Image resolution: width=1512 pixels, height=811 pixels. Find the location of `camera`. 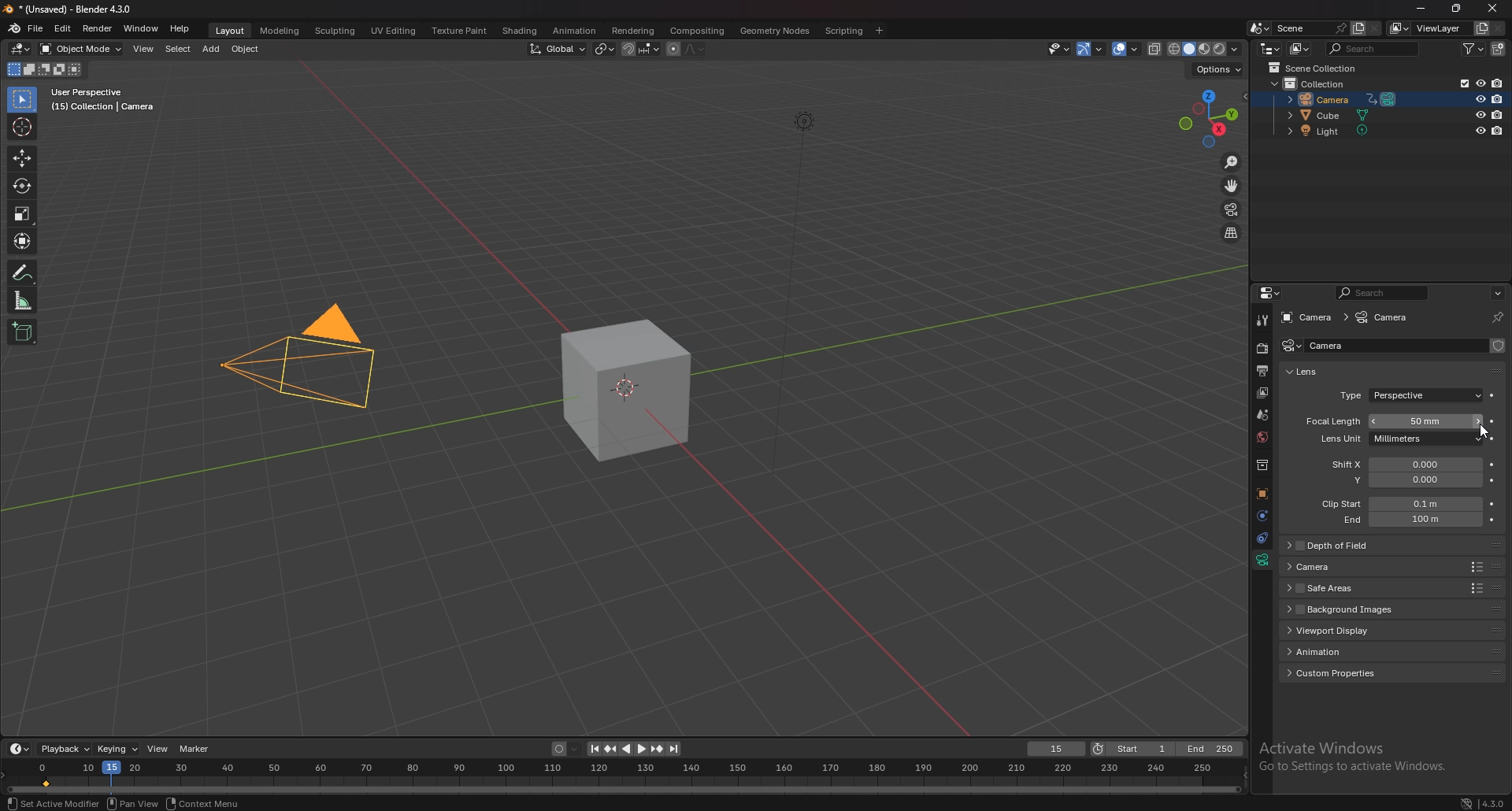

camera is located at coordinates (1385, 318).